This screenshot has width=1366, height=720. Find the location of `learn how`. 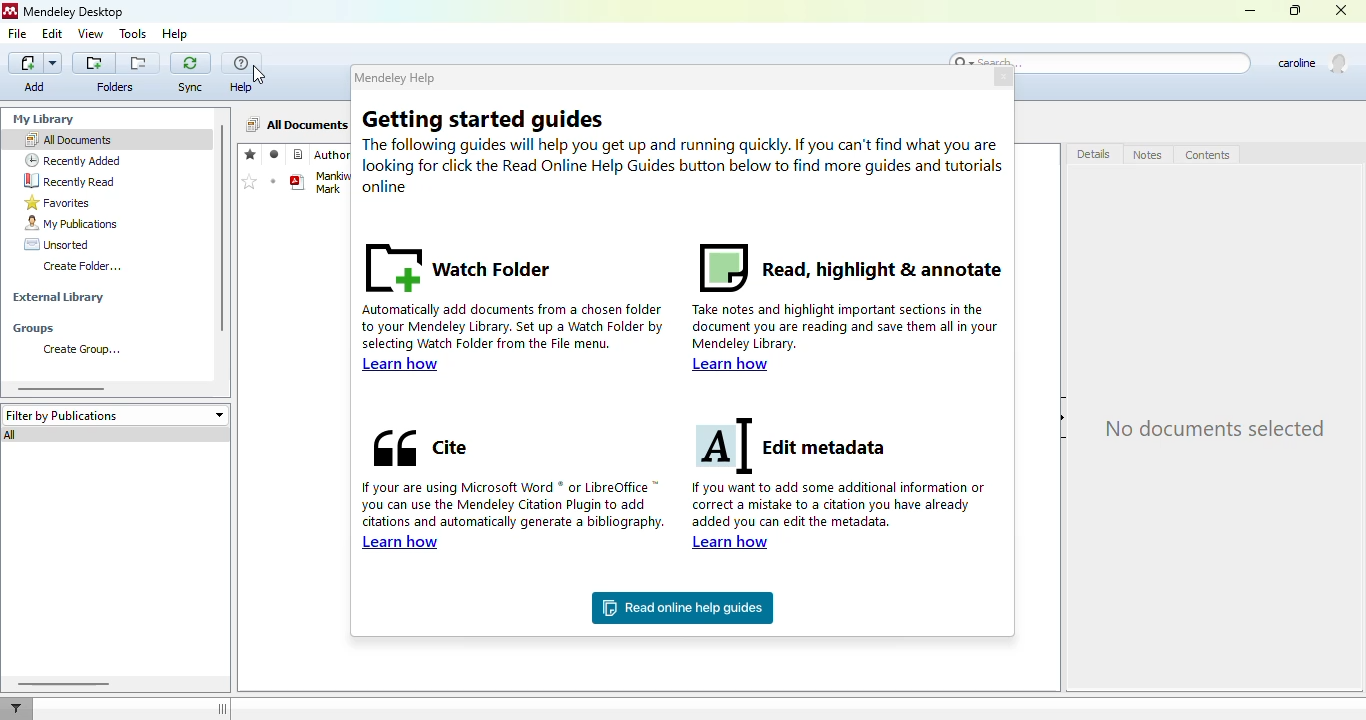

learn how is located at coordinates (731, 543).